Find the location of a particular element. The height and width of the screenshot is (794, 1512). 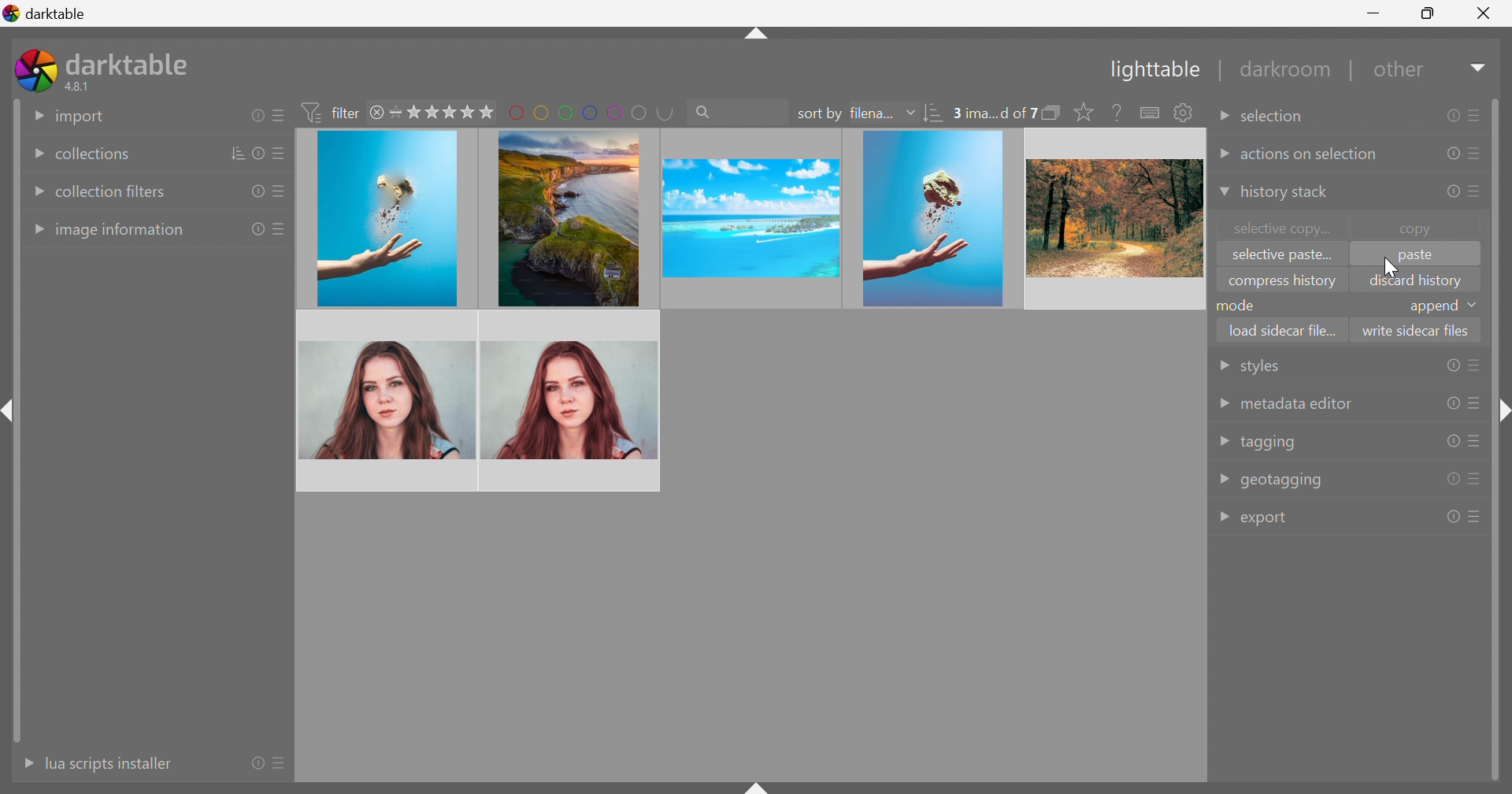

reset is located at coordinates (1451, 116).